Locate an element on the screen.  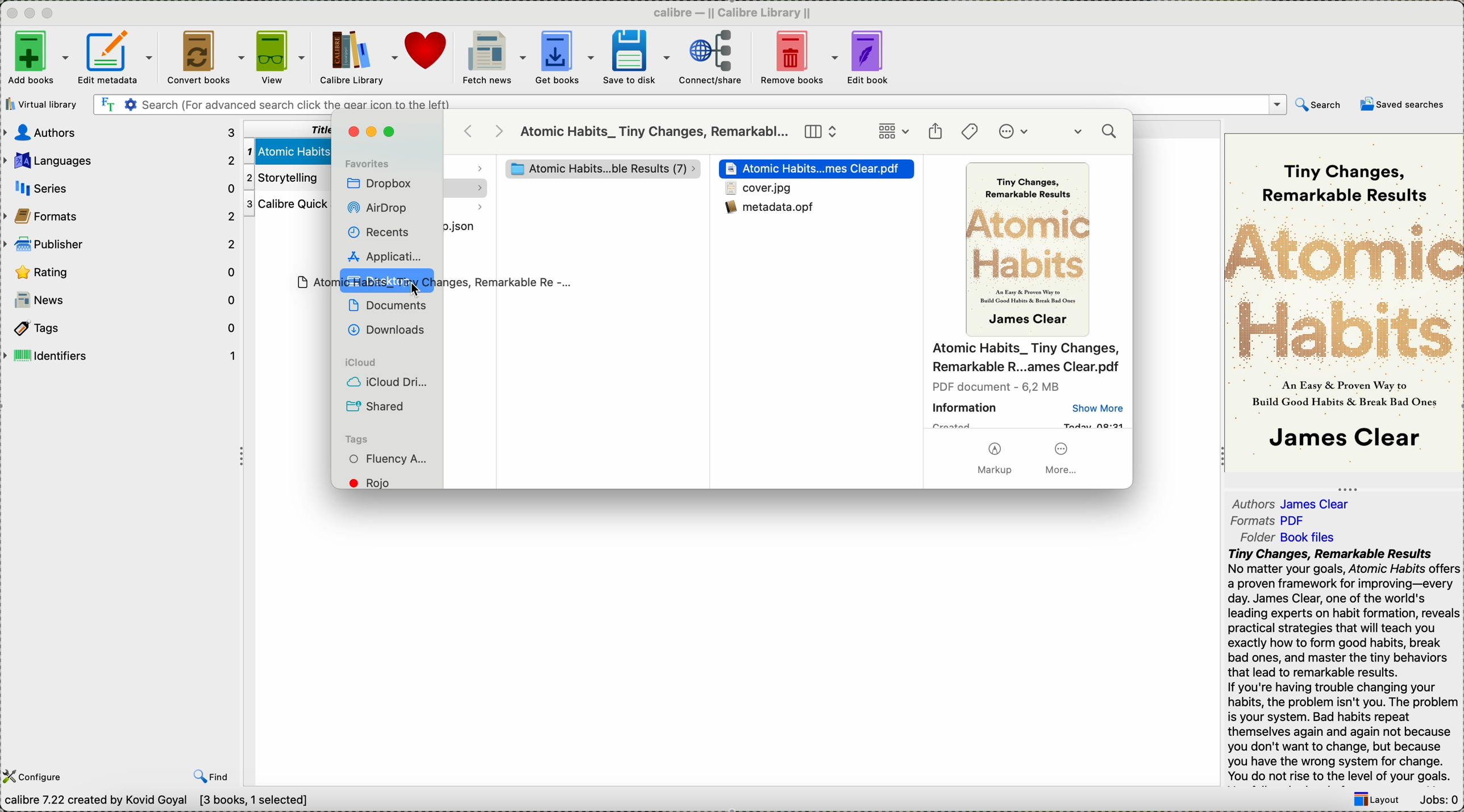
connect/share is located at coordinates (711, 60).